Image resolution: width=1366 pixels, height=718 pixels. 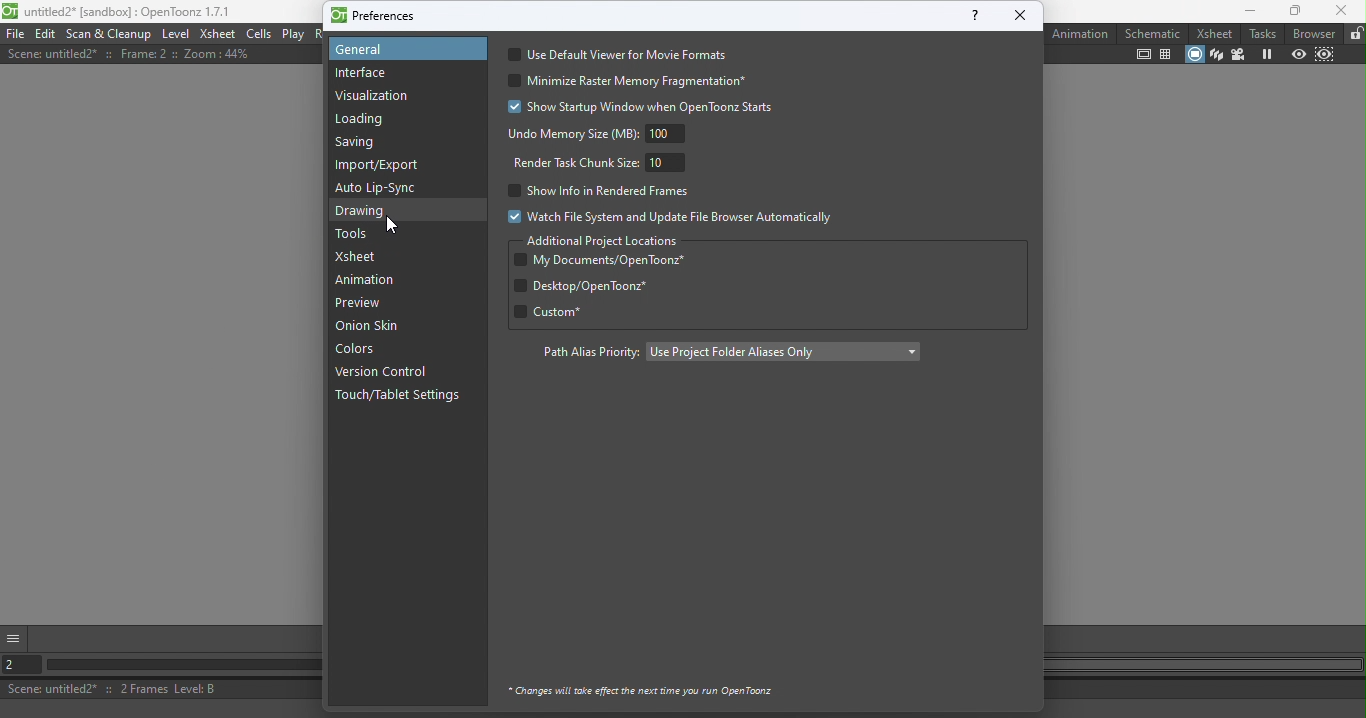 I want to click on Scan & Cleanup, so click(x=110, y=34).